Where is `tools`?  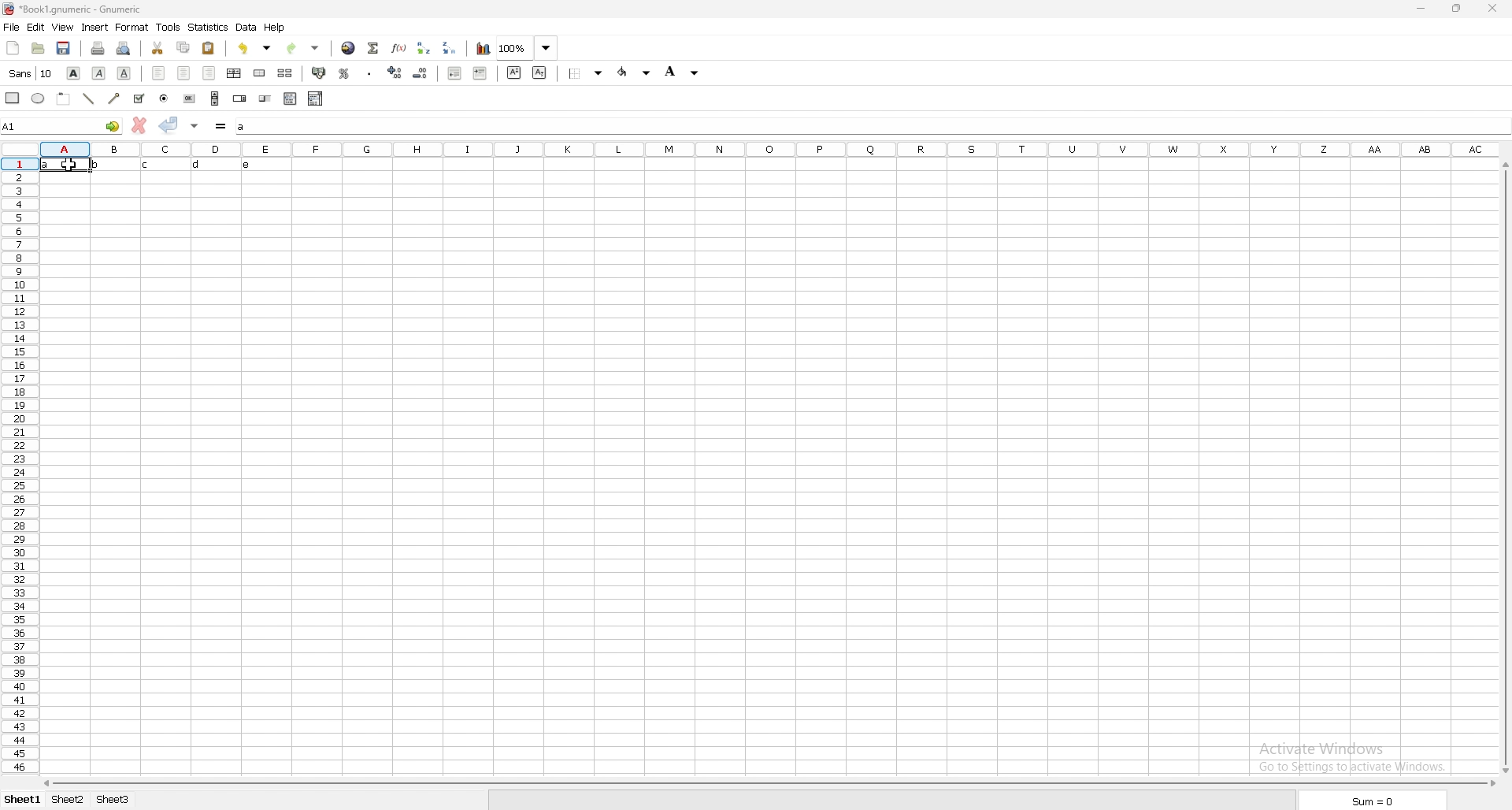
tools is located at coordinates (169, 28).